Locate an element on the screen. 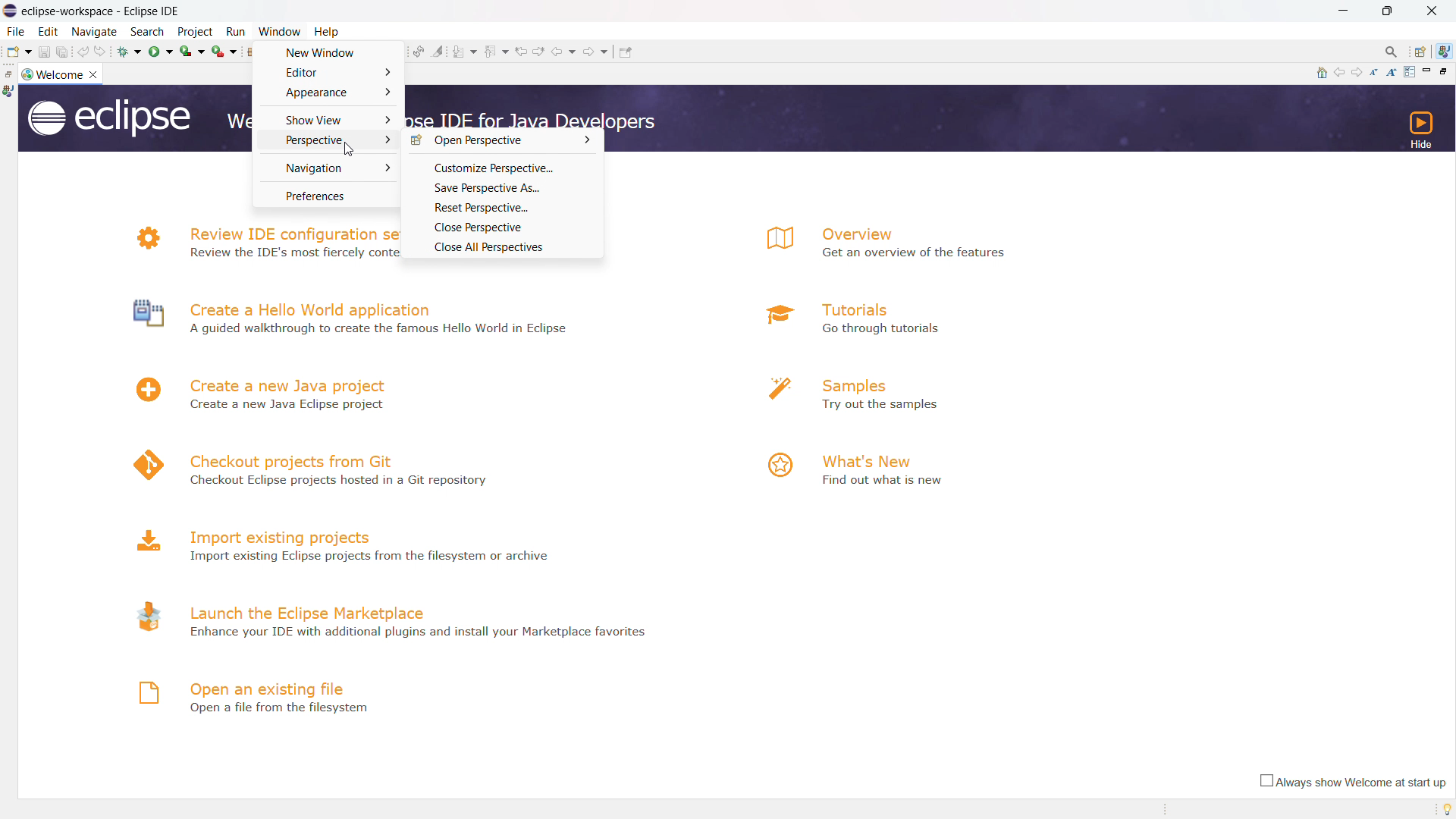 The image size is (1456, 819). logo is located at coordinates (26, 74).